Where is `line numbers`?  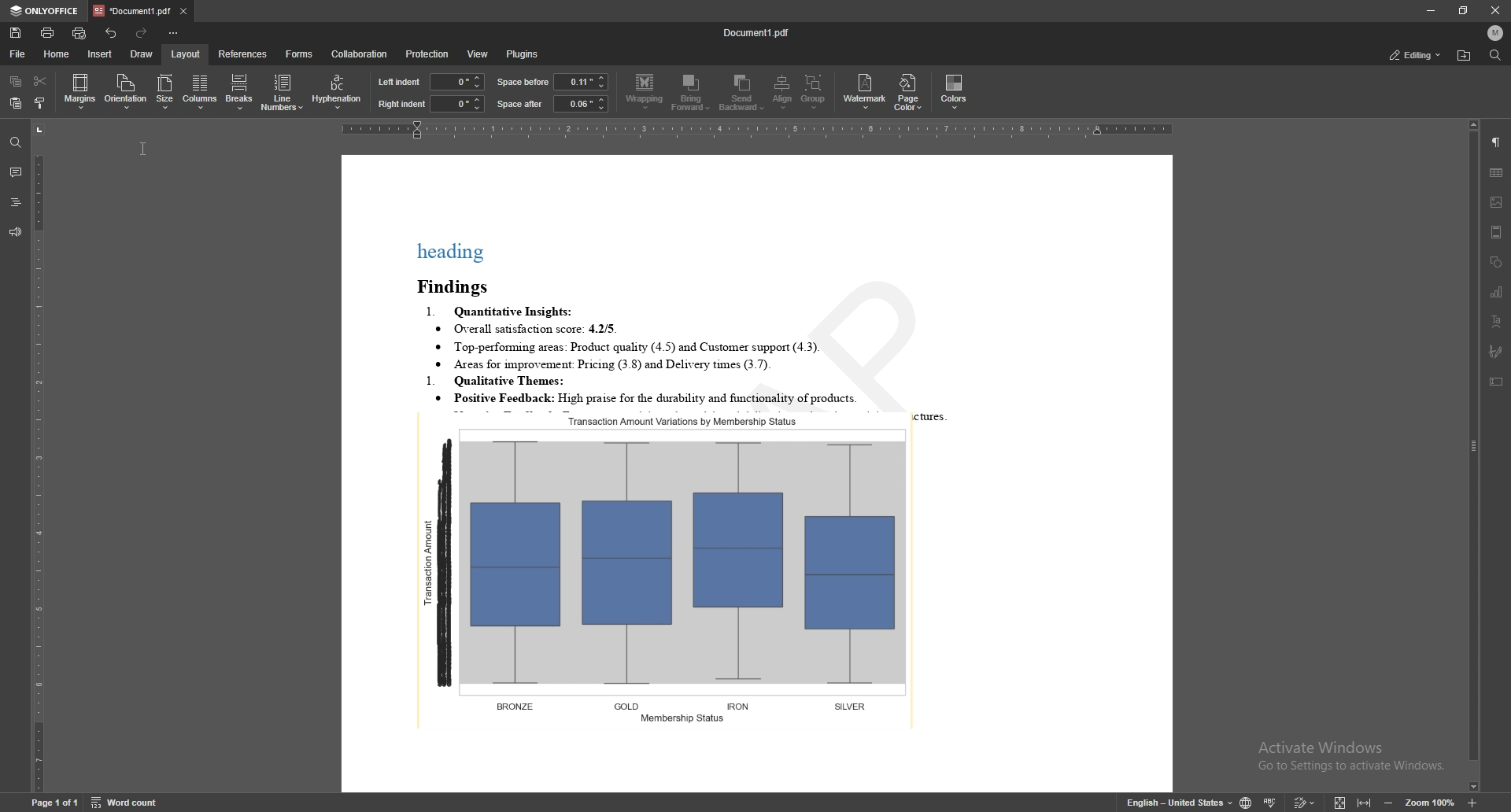 line numbers is located at coordinates (283, 92).